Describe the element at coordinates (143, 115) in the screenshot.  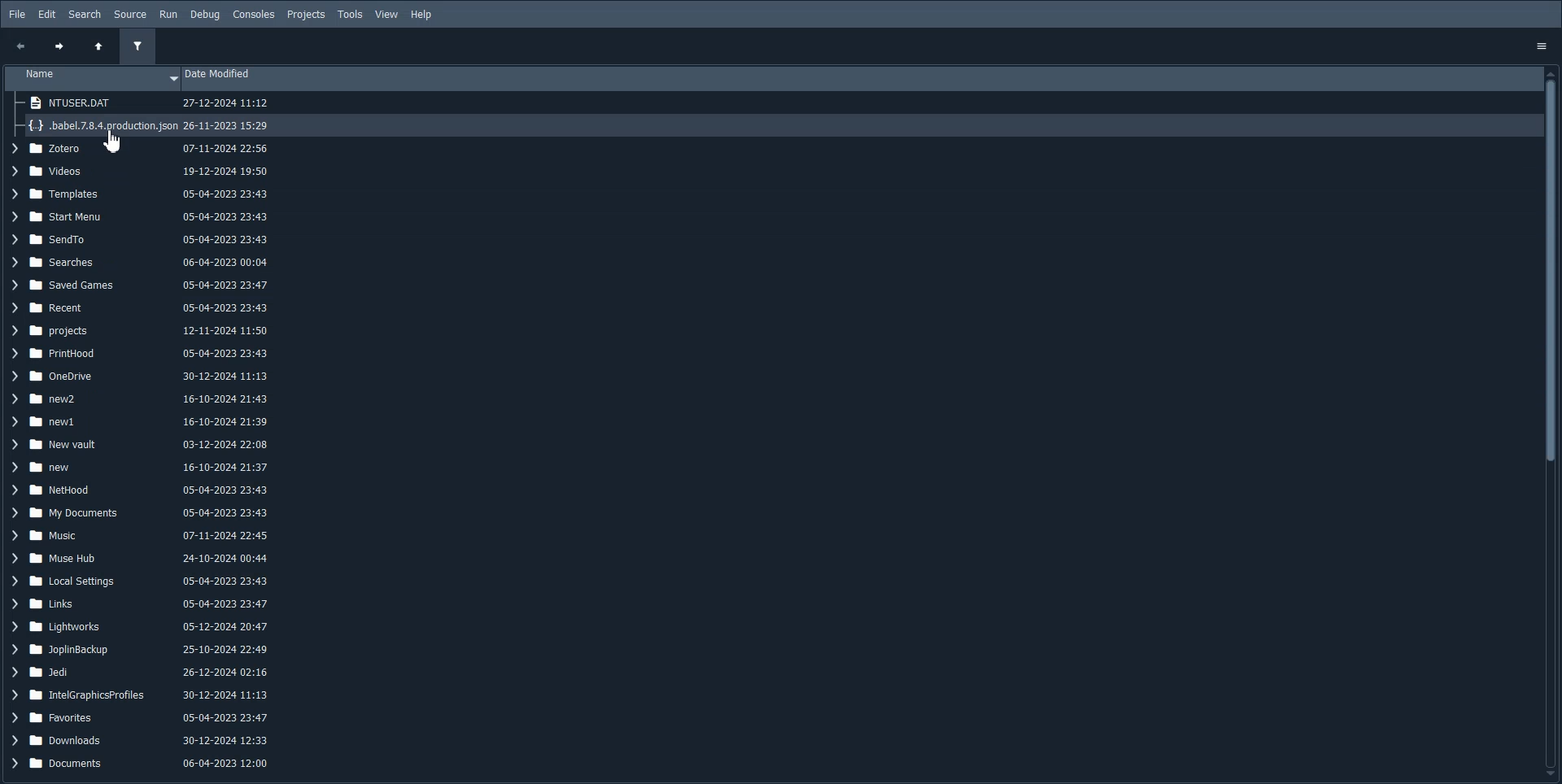
I see `Sub file tree` at that location.